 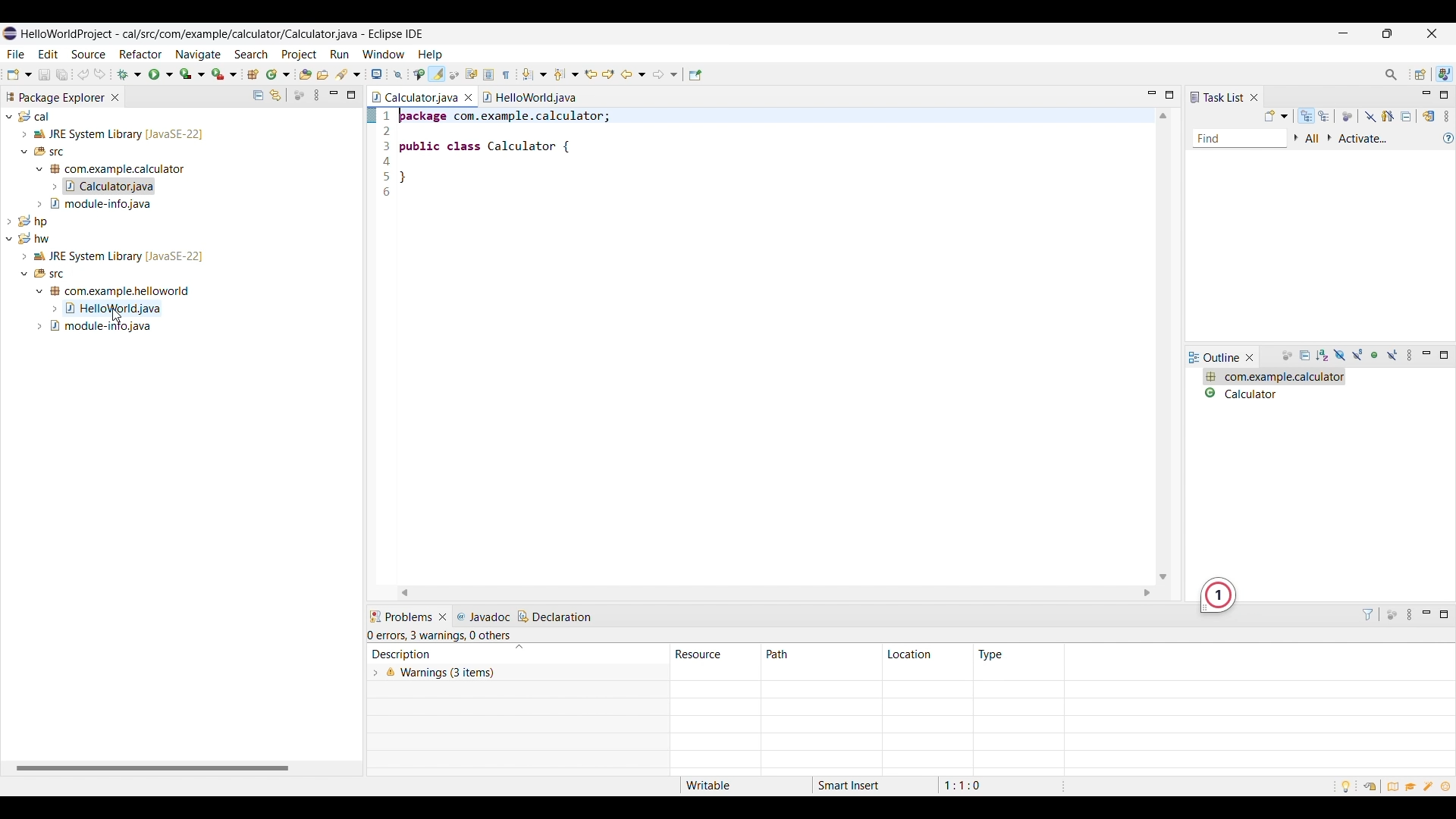 I want to click on Run options, so click(x=161, y=74).